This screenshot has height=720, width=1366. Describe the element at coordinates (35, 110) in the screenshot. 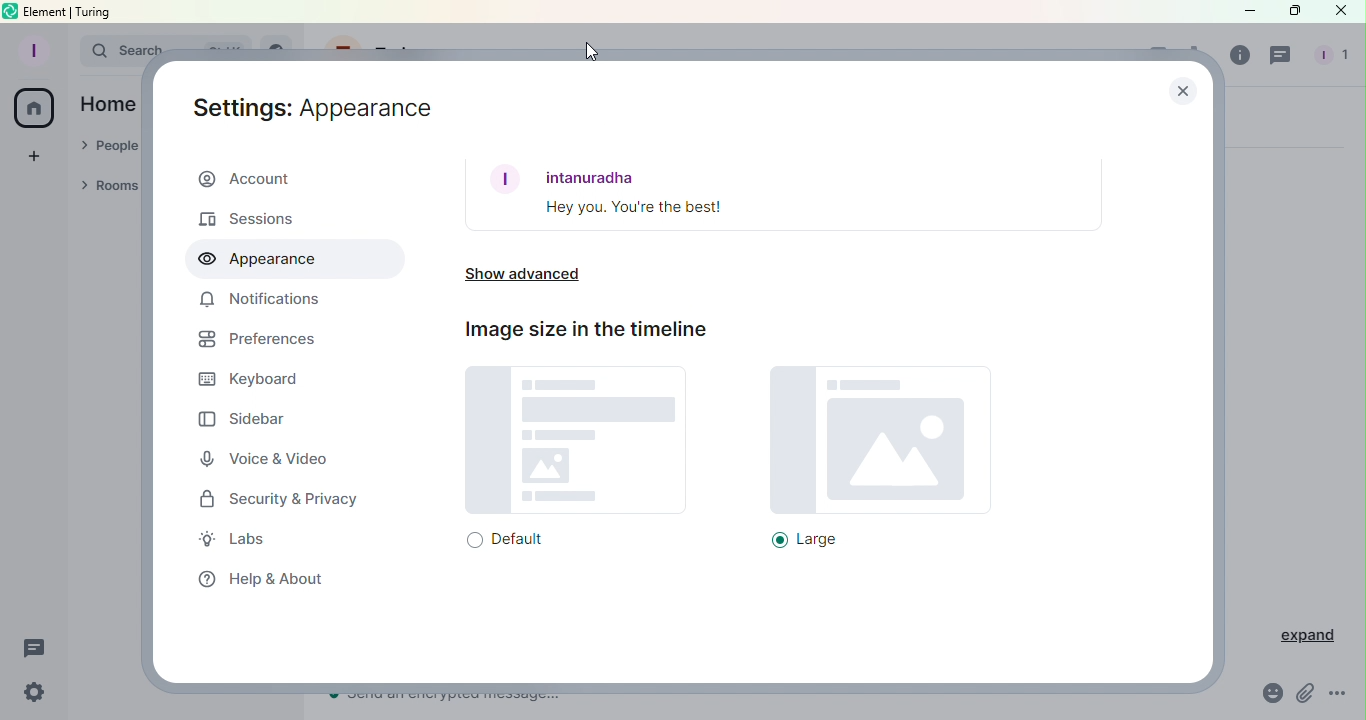

I see `Home` at that location.